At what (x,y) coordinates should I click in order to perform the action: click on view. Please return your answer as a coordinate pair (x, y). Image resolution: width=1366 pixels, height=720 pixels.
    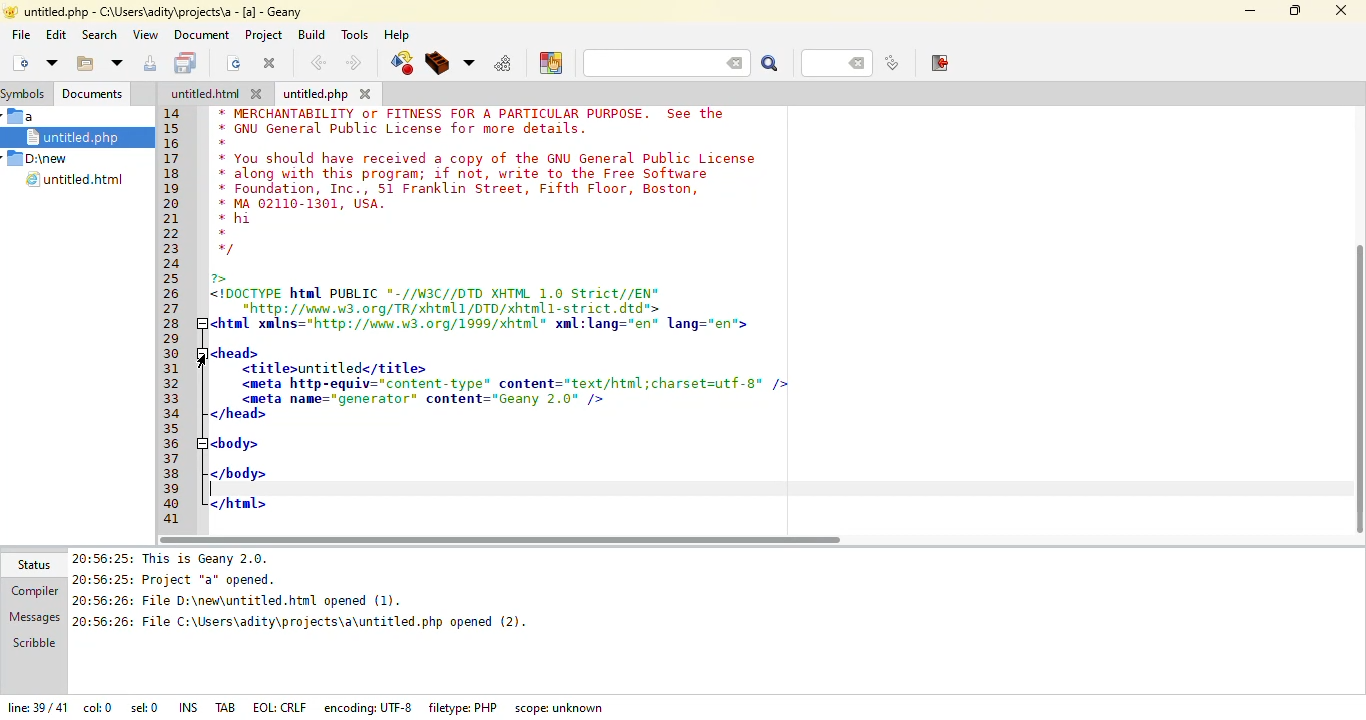
    Looking at the image, I should click on (147, 35).